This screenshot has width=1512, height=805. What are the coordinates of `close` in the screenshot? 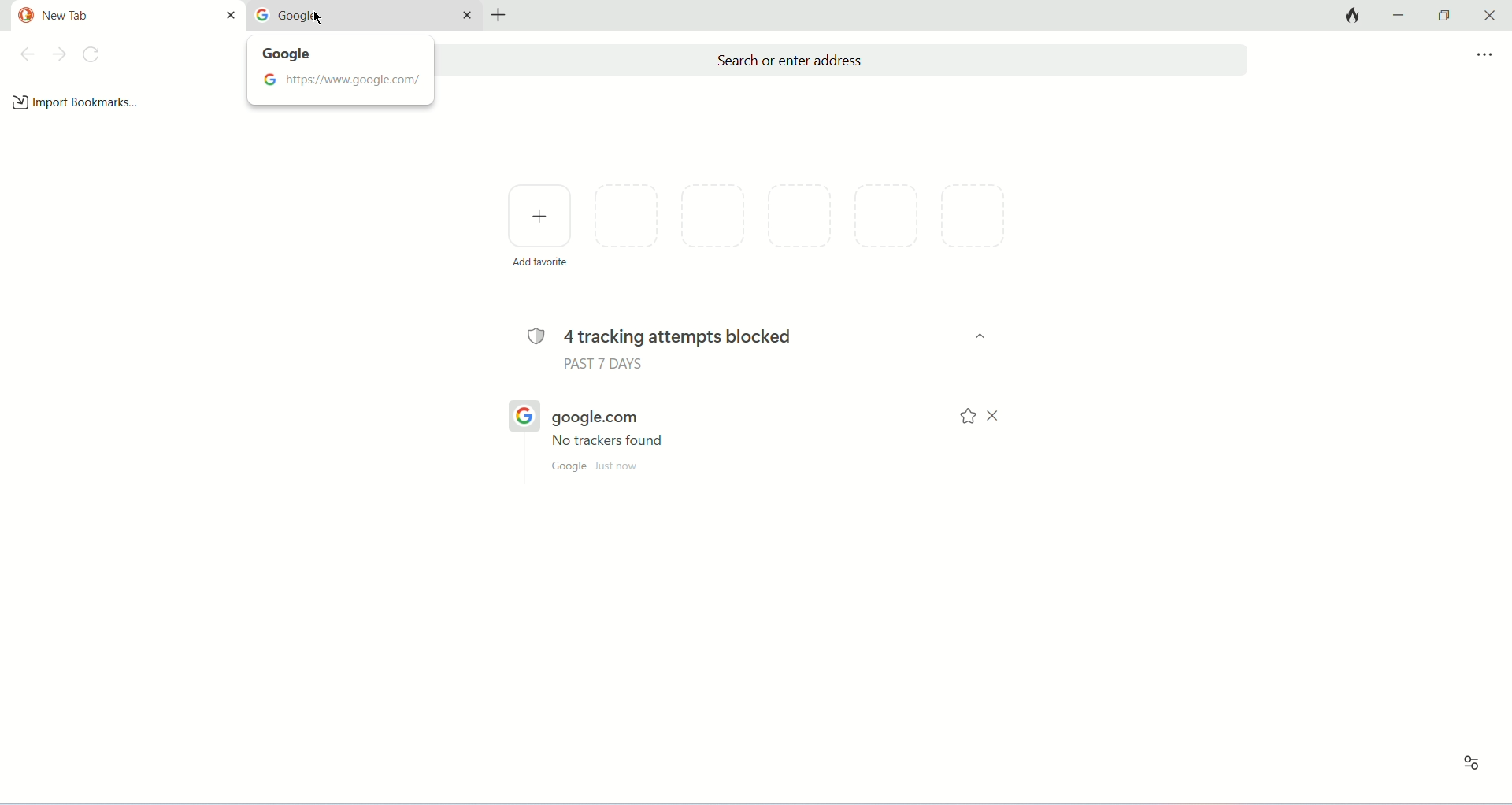 It's located at (1492, 14).